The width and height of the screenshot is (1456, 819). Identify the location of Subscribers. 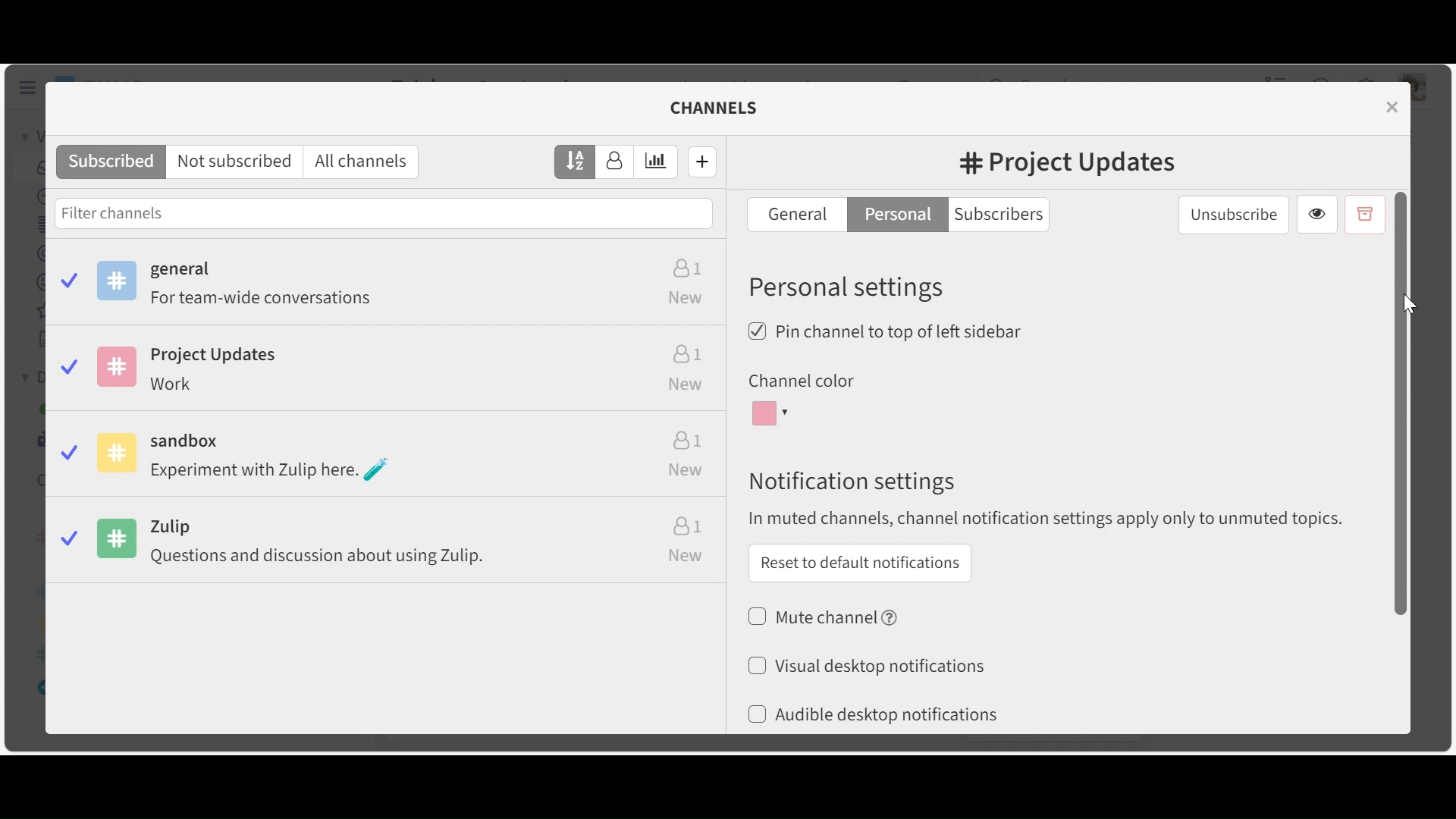
(1004, 215).